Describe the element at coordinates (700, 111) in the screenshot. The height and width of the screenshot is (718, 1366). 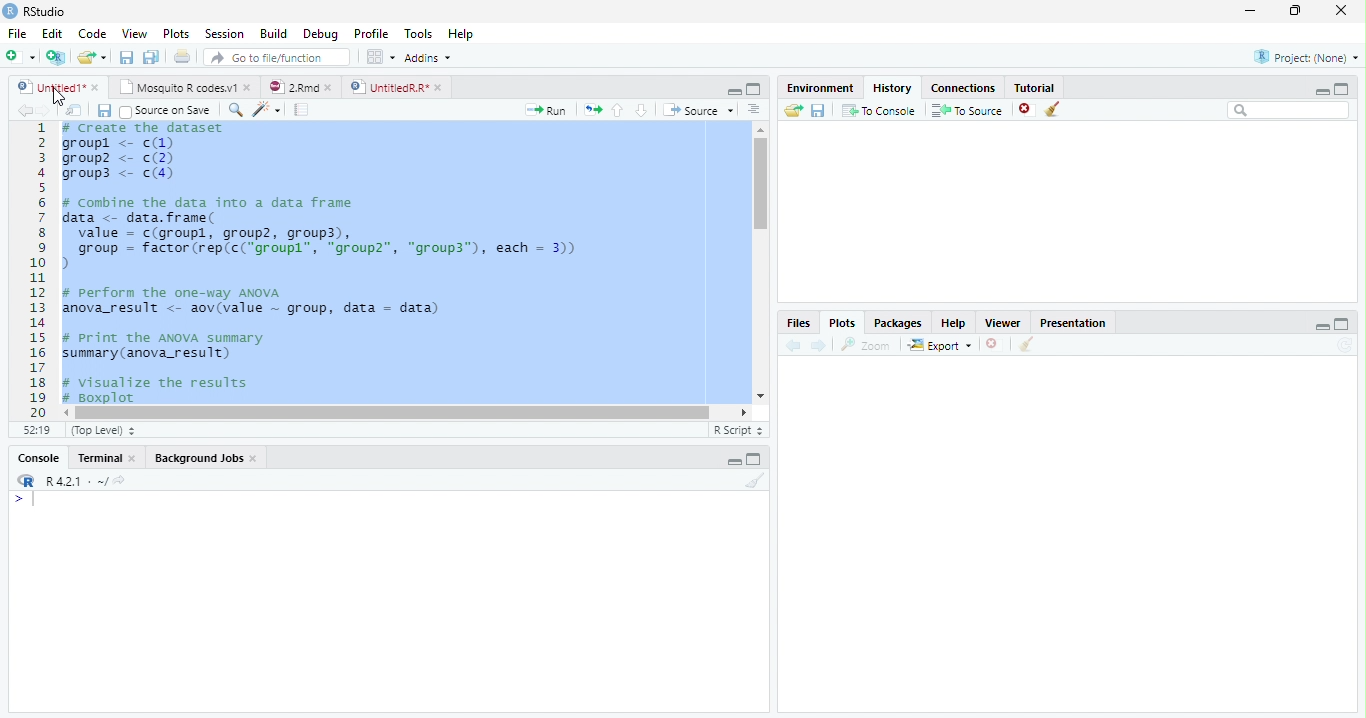
I see `Source` at that location.